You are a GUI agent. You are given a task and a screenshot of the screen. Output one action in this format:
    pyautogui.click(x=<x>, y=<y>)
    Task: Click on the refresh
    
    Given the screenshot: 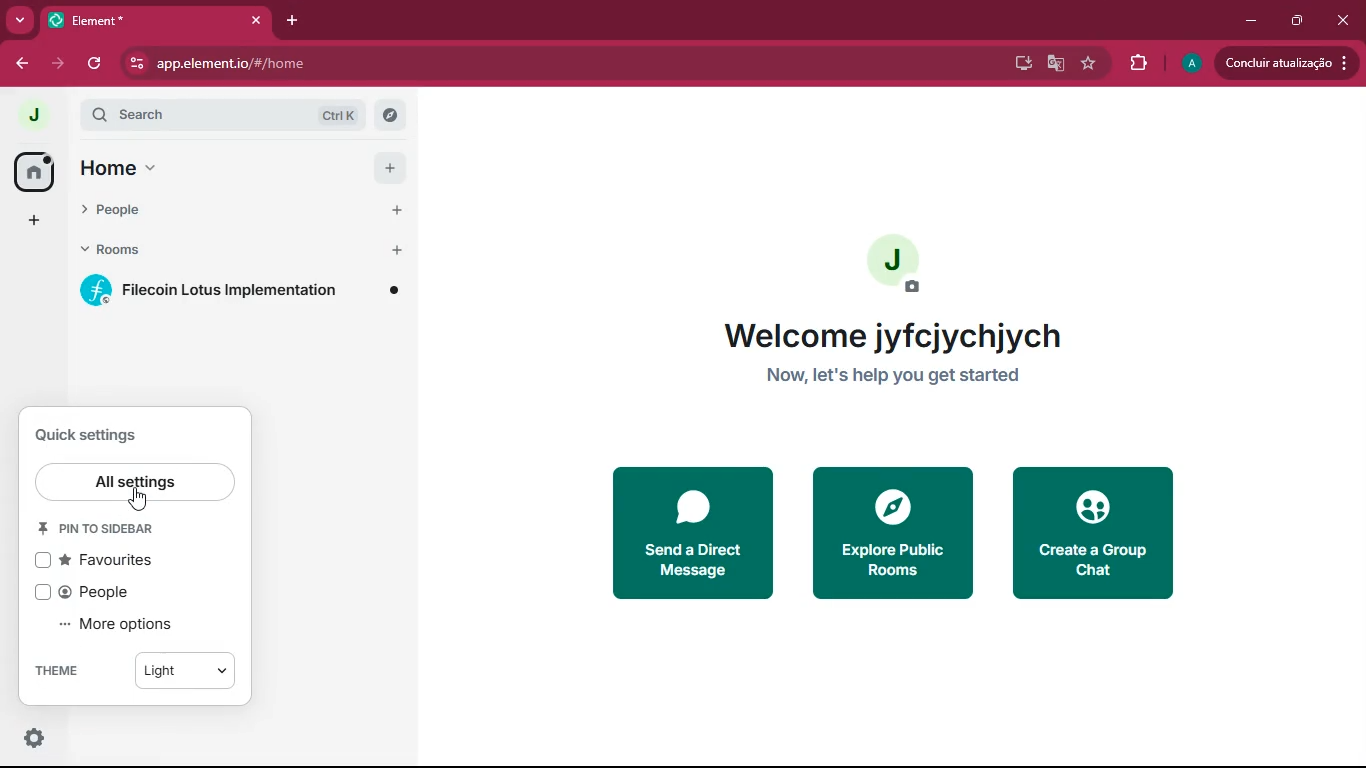 What is the action you would take?
    pyautogui.click(x=96, y=64)
    